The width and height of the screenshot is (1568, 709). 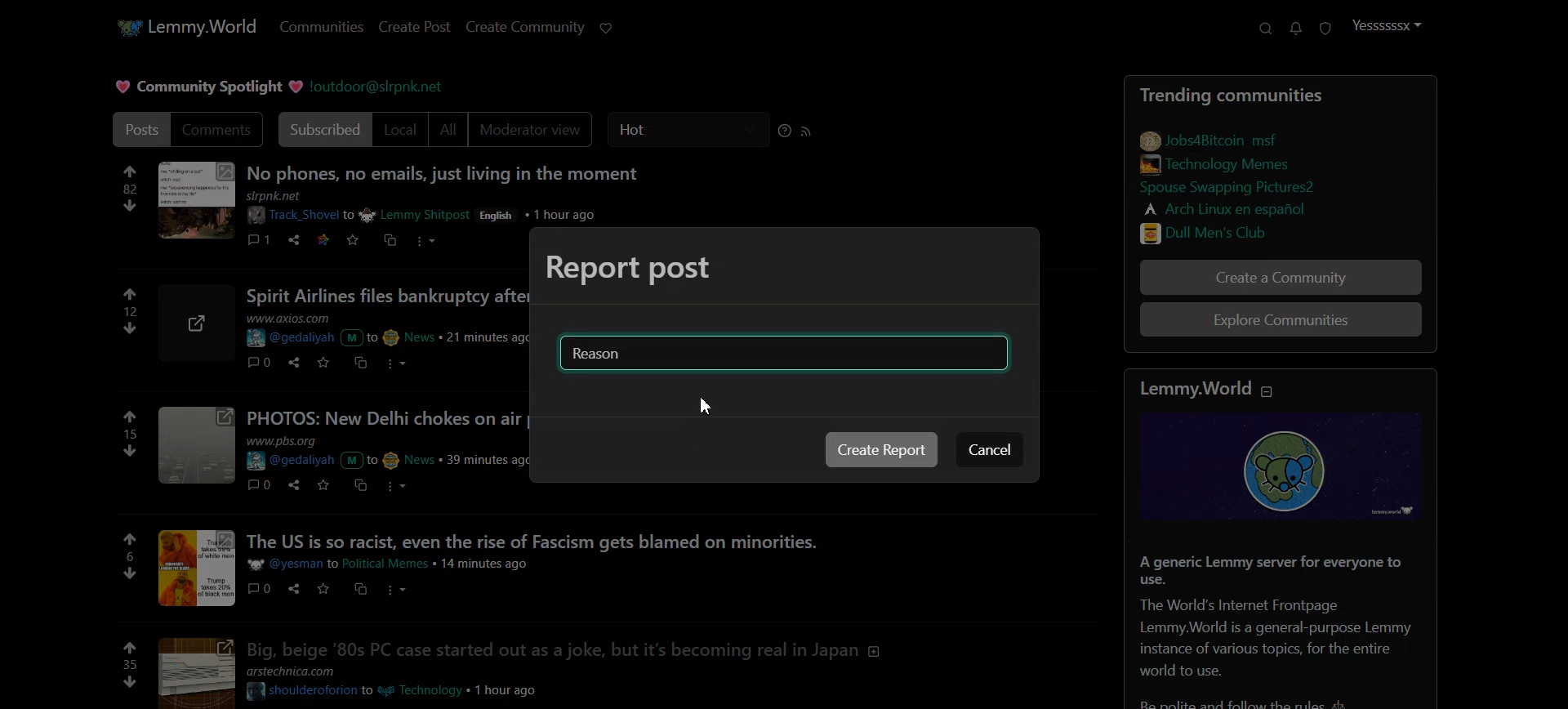 What do you see at coordinates (1287, 626) in the screenshot?
I see `Text` at bounding box center [1287, 626].